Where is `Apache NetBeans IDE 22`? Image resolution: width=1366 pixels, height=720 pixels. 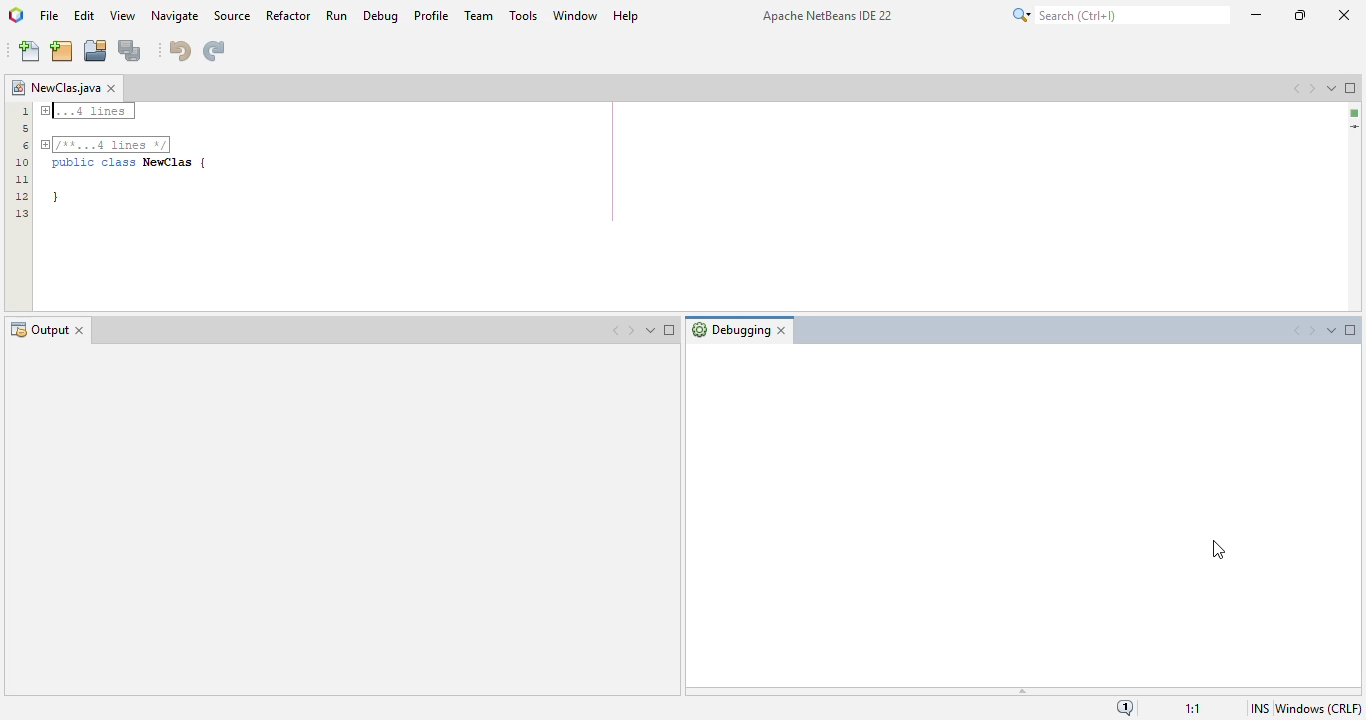
Apache NetBeans IDE 22 is located at coordinates (826, 16).